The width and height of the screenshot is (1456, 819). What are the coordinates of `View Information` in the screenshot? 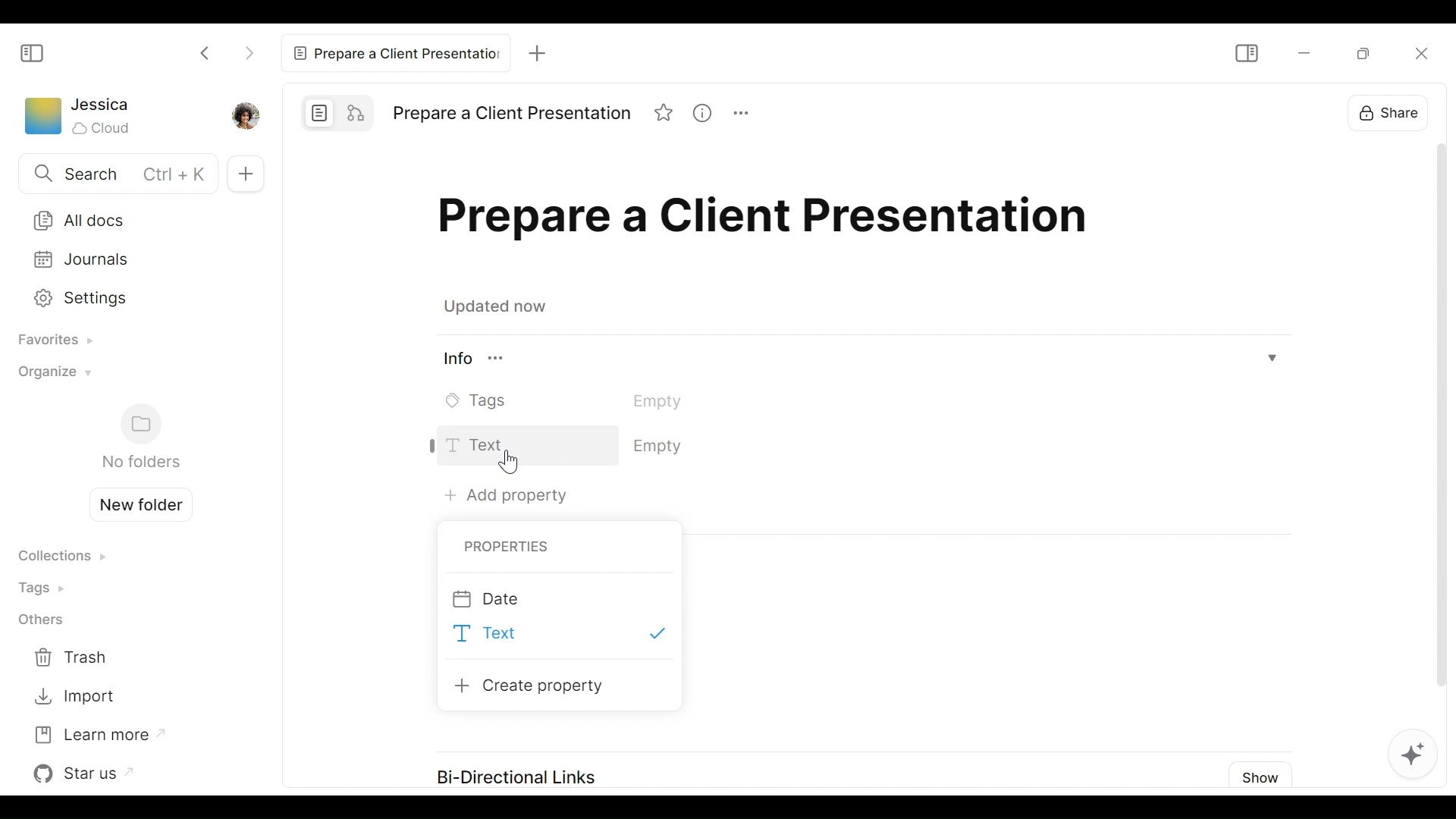 It's located at (708, 115).